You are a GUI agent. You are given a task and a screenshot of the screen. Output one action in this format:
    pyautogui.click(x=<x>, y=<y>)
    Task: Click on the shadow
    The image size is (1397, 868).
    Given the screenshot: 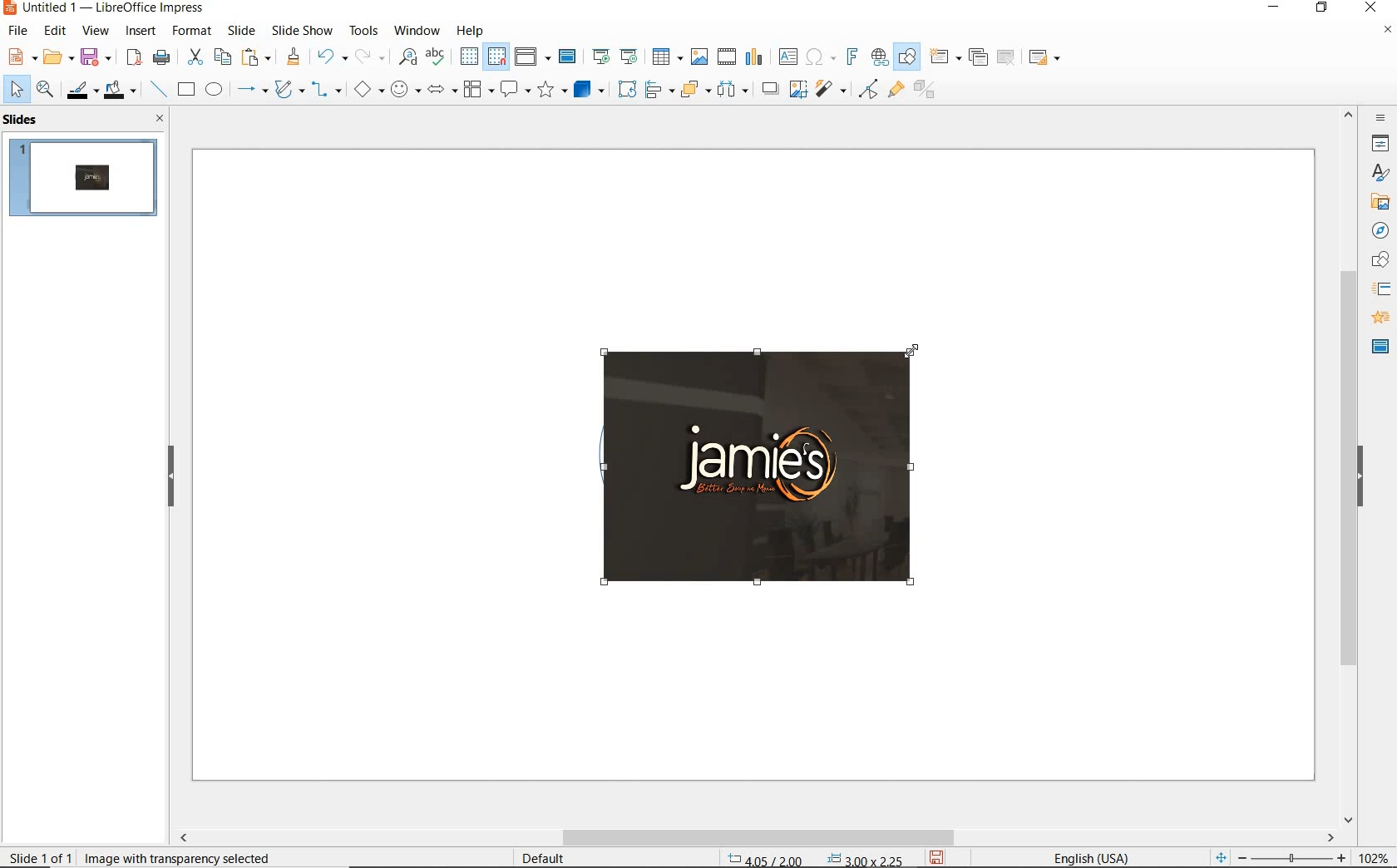 What is the action you would take?
    pyautogui.click(x=769, y=87)
    